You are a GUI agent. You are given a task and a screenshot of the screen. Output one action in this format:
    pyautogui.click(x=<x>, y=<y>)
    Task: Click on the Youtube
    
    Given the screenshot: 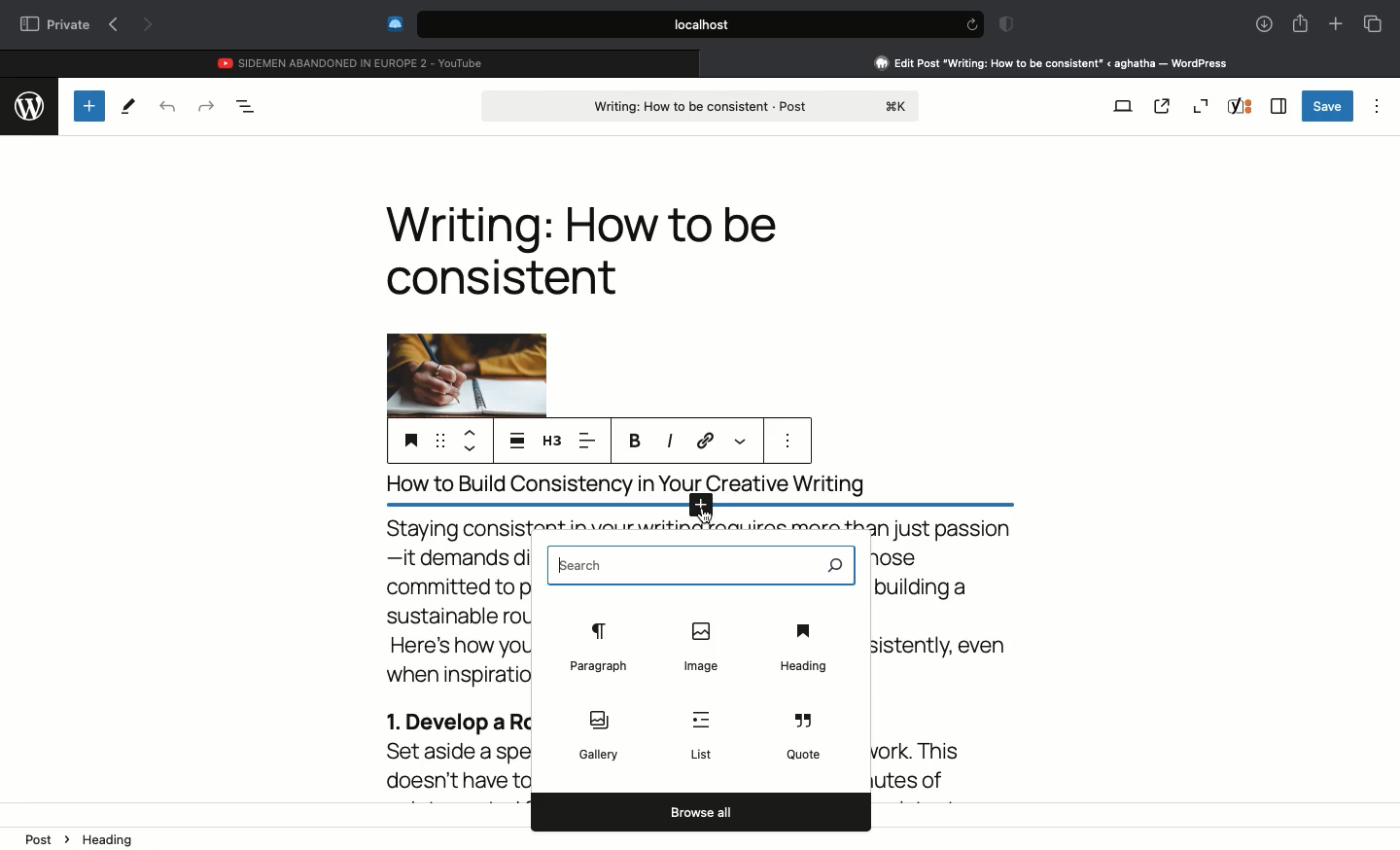 What is the action you would take?
    pyautogui.click(x=353, y=60)
    